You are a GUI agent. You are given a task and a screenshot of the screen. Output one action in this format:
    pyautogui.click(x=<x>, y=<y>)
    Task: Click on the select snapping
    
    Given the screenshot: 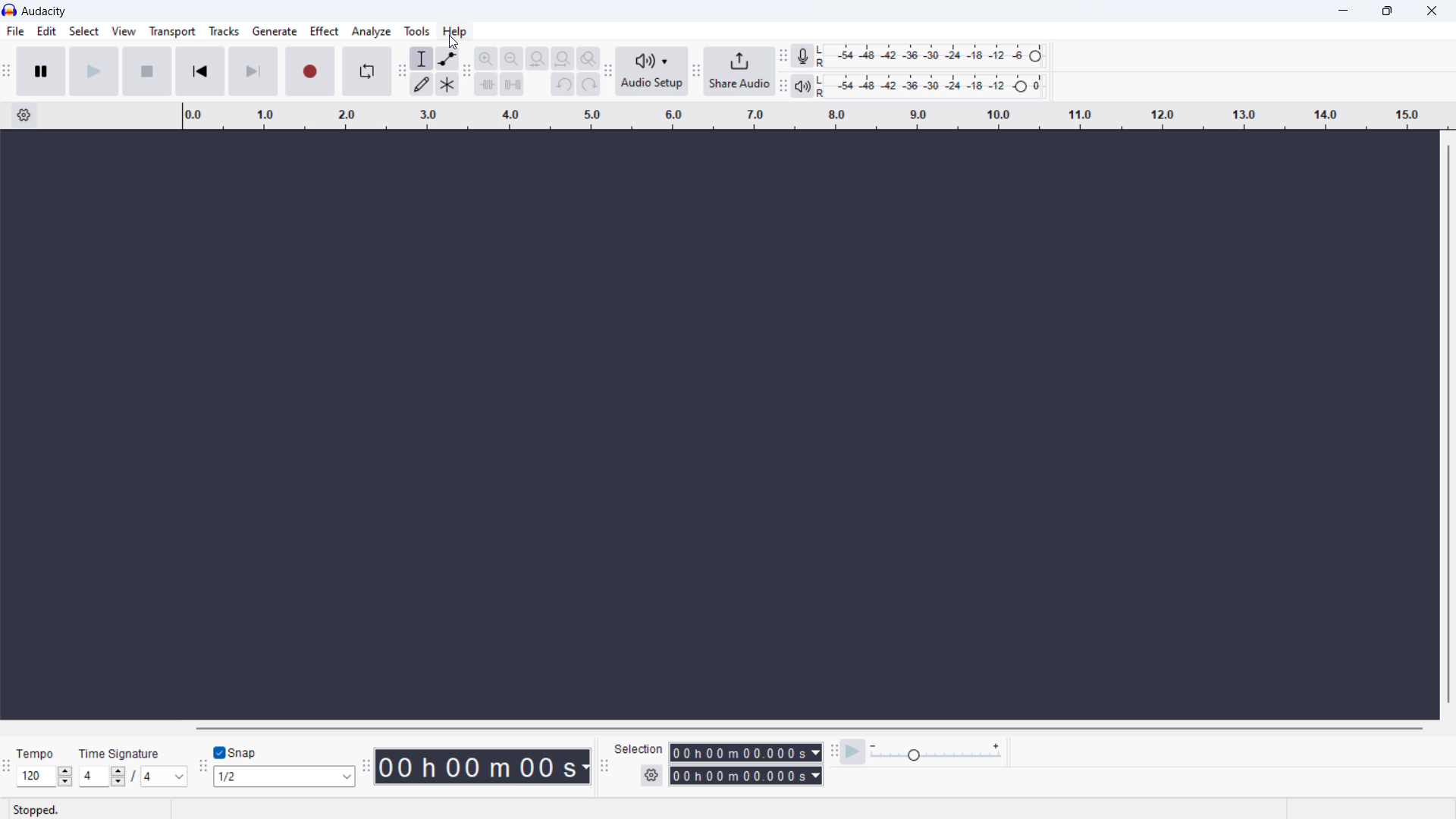 What is the action you would take?
    pyautogui.click(x=284, y=777)
    